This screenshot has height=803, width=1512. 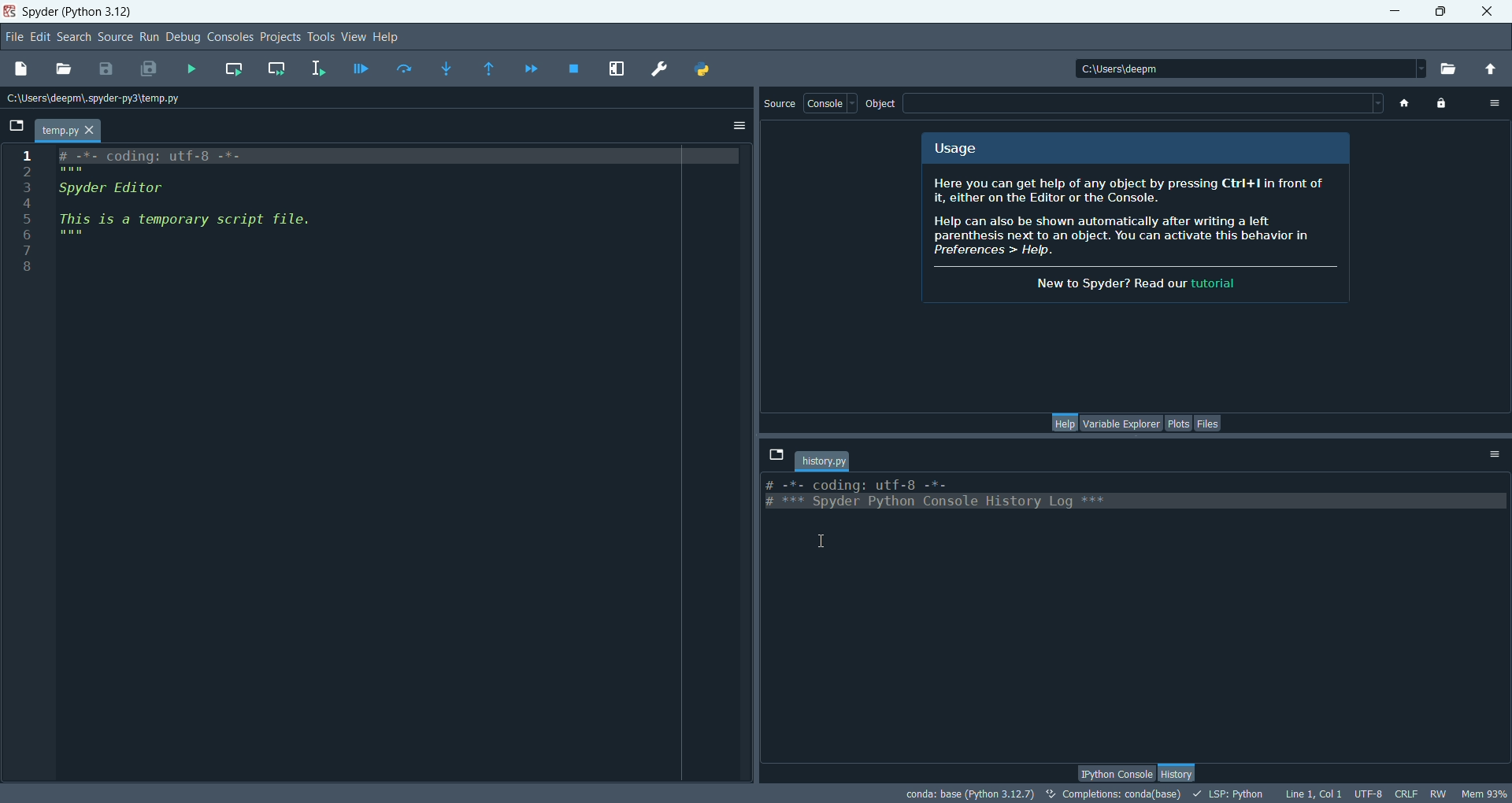 What do you see at coordinates (739, 128) in the screenshot?
I see `options` at bounding box center [739, 128].